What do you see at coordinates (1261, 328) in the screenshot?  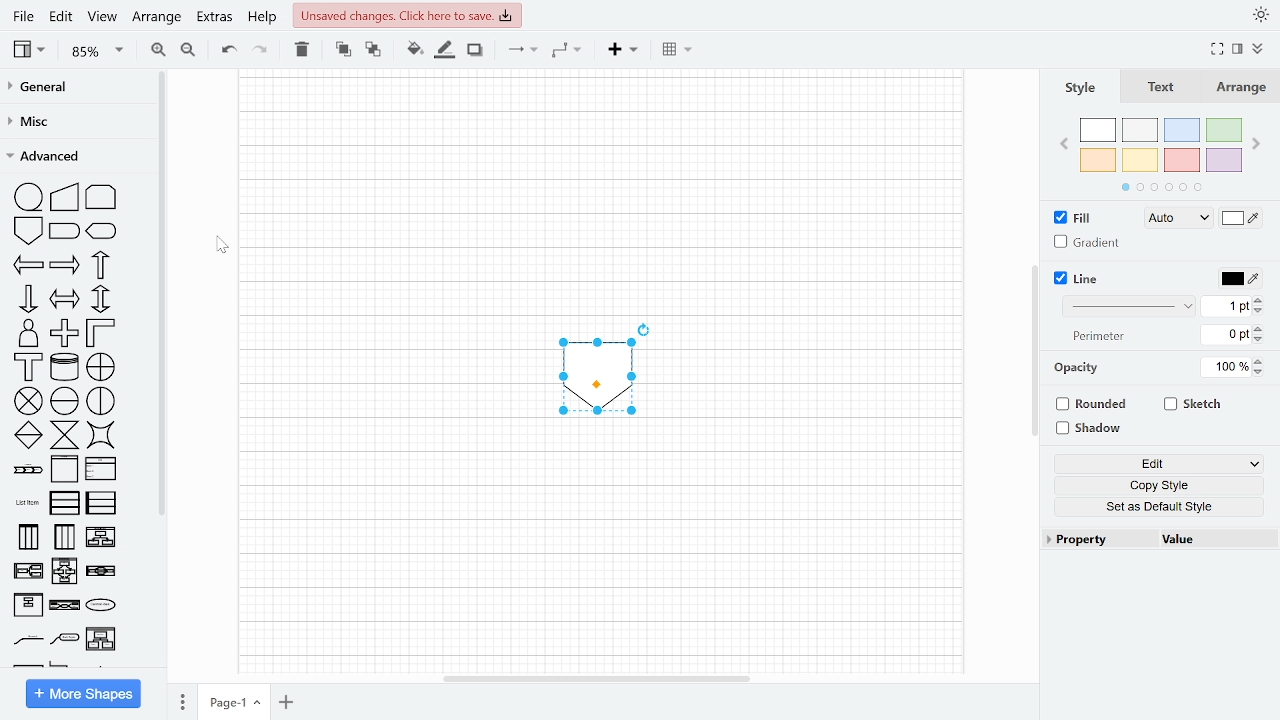 I see `Increase perimeter` at bounding box center [1261, 328].